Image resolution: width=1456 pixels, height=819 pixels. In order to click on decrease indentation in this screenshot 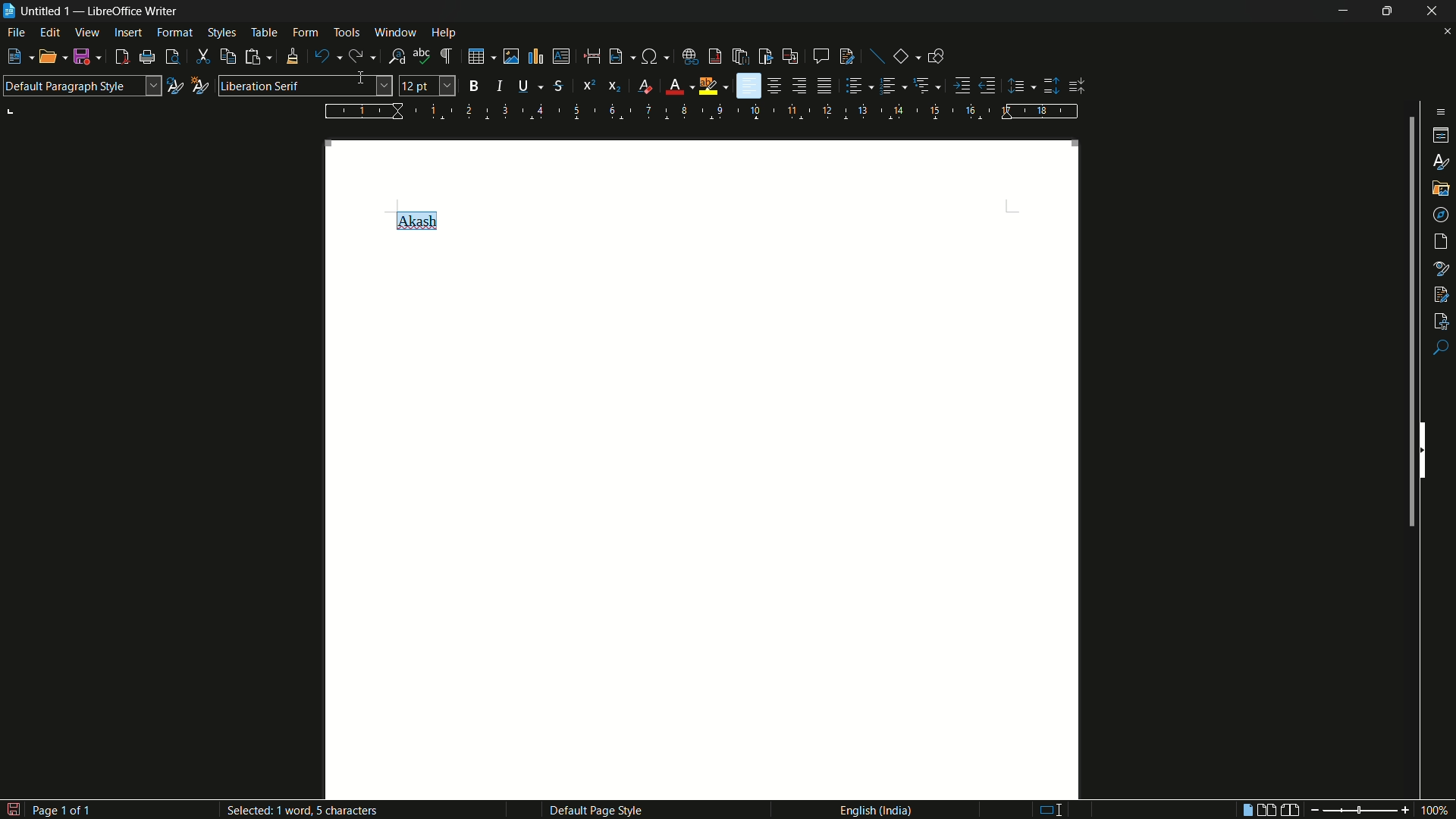, I will do `click(988, 85)`.